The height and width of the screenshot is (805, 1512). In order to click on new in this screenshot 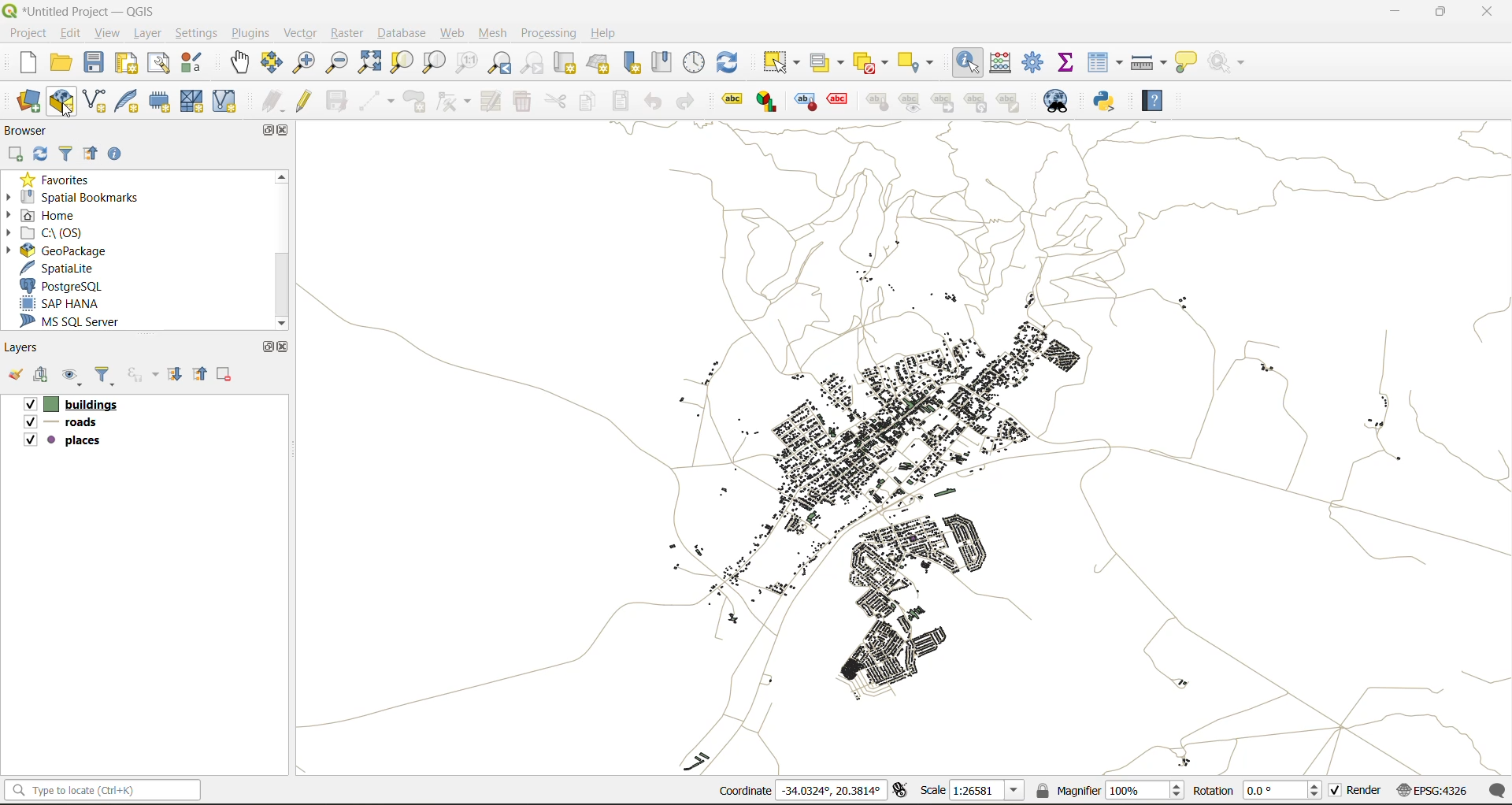, I will do `click(20, 65)`.